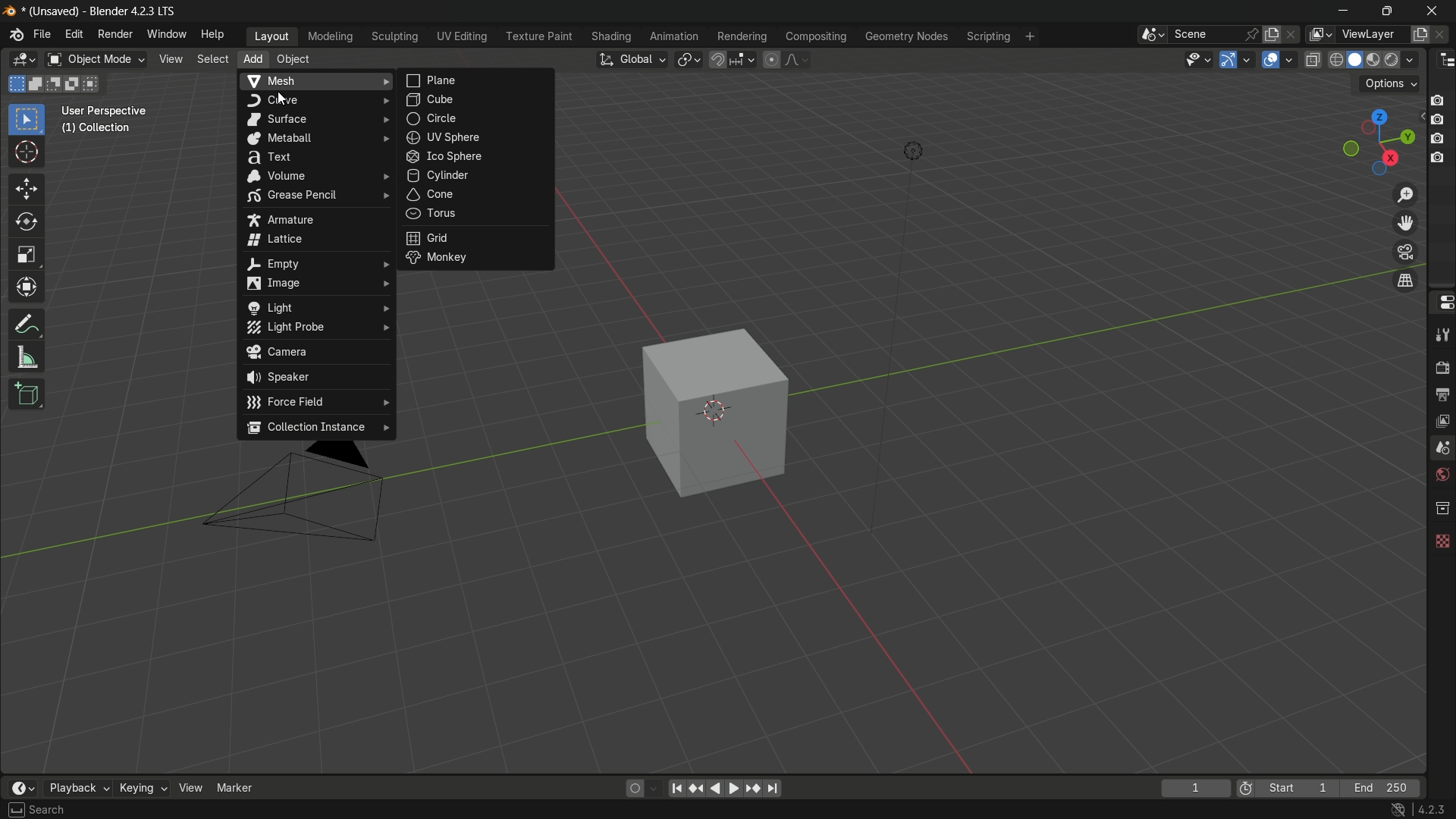 This screenshot has height=819, width=1456. What do you see at coordinates (478, 80) in the screenshot?
I see `plane` at bounding box center [478, 80].